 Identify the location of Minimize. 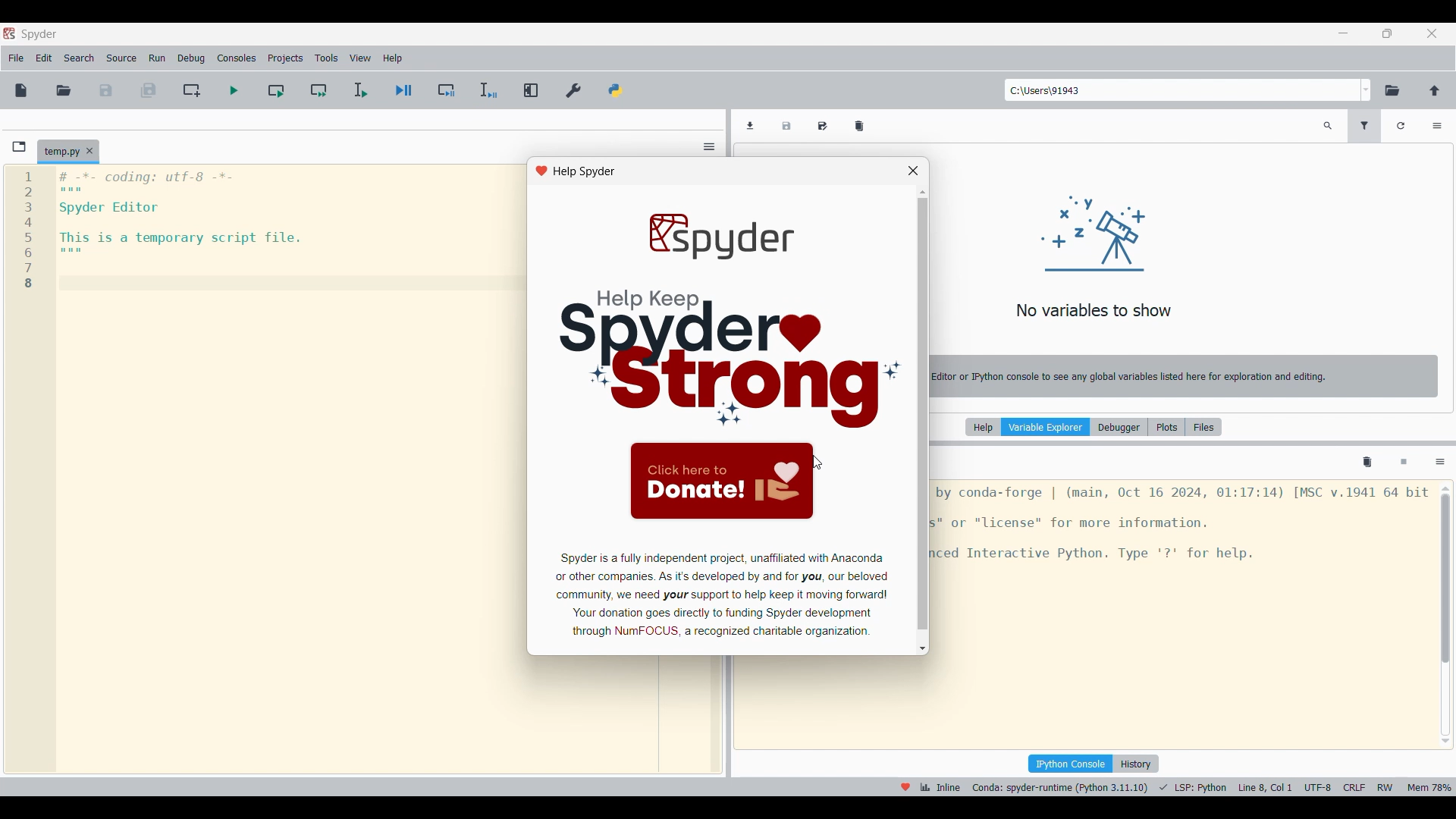
(1344, 33).